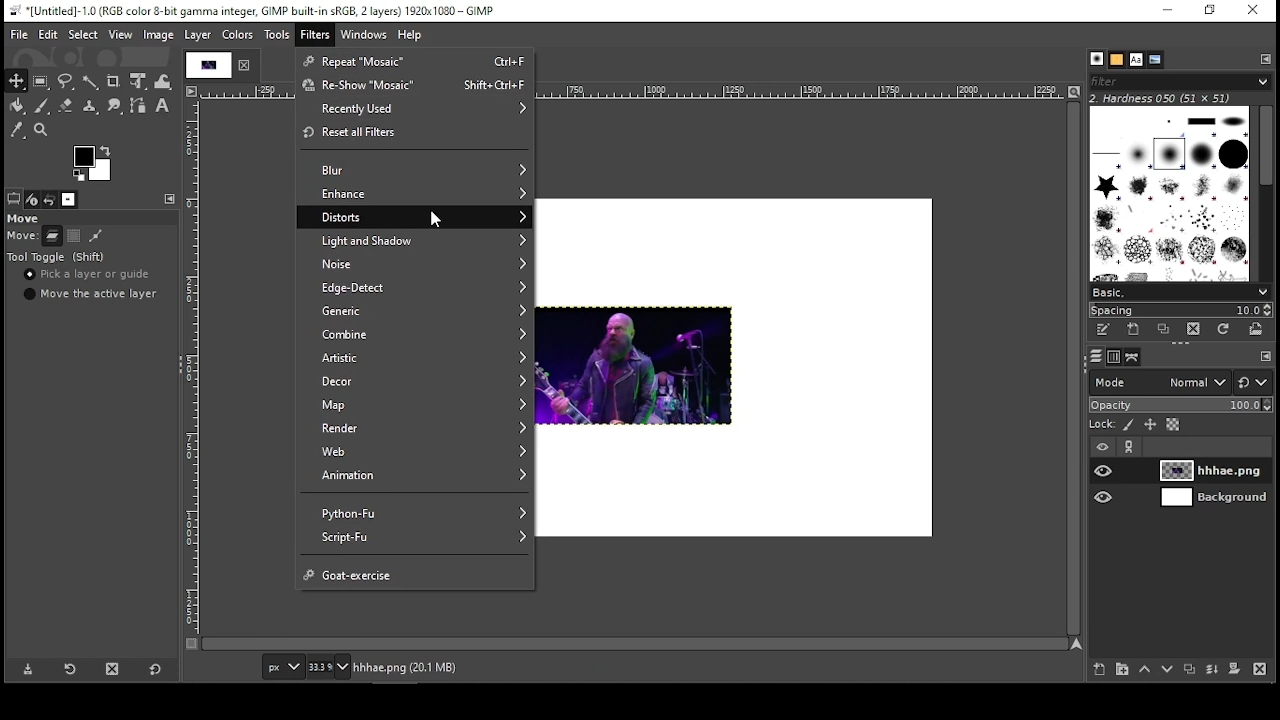 This screenshot has height=720, width=1280. Describe the element at coordinates (1124, 669) in the screenshot. I see `new layer group` at that location.